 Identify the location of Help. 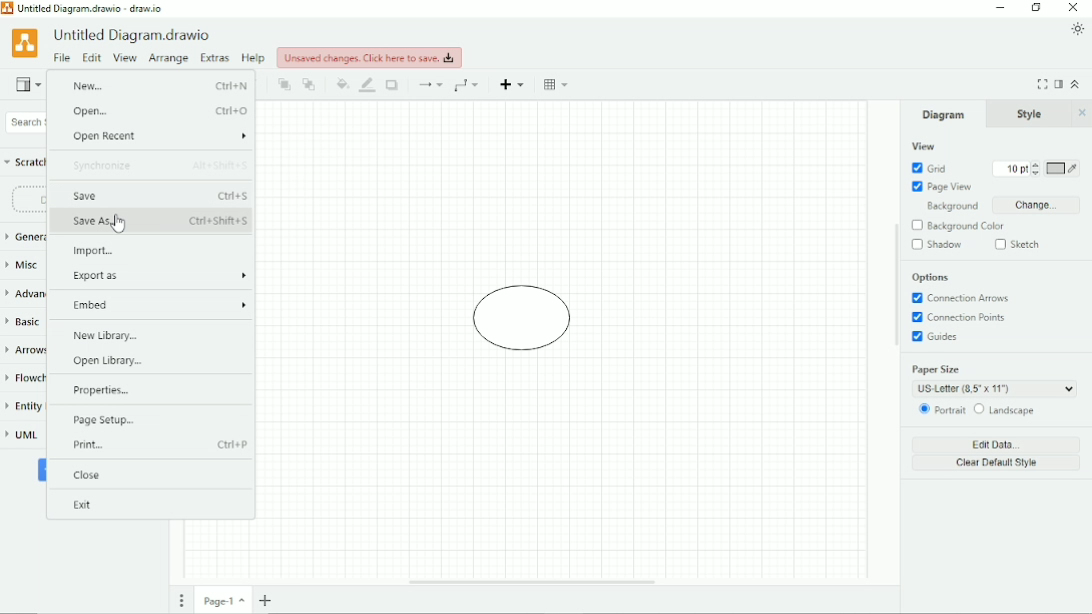
(254, 57).